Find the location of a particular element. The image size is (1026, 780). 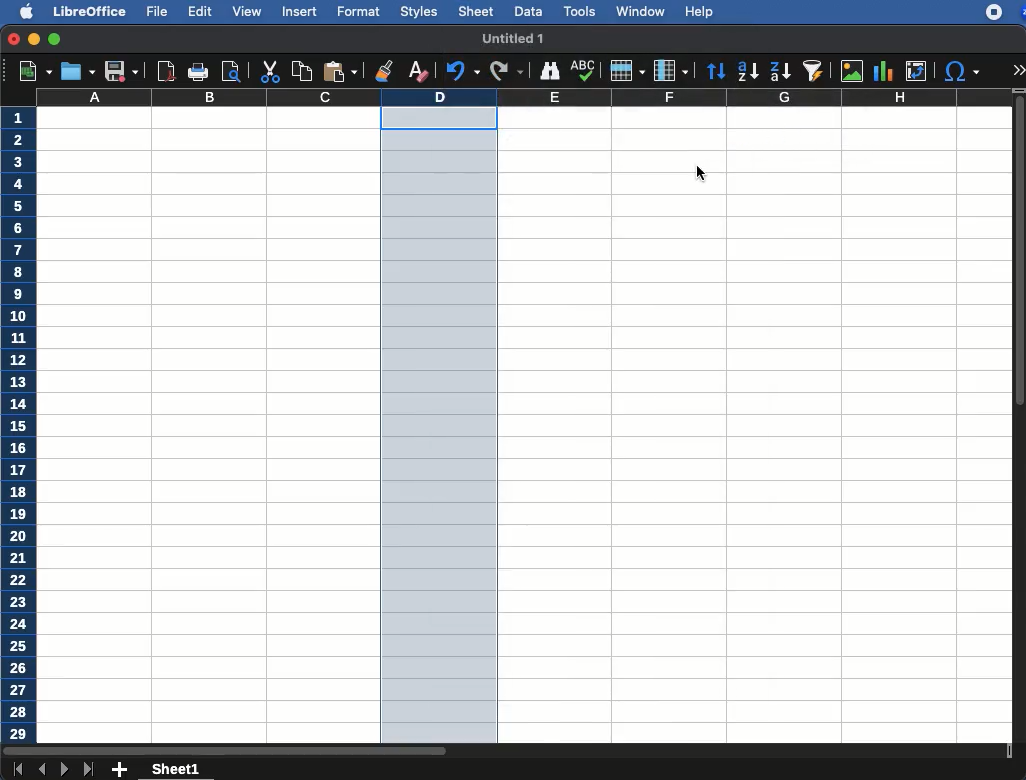

previous sheet is located at coordinates (43, 770).